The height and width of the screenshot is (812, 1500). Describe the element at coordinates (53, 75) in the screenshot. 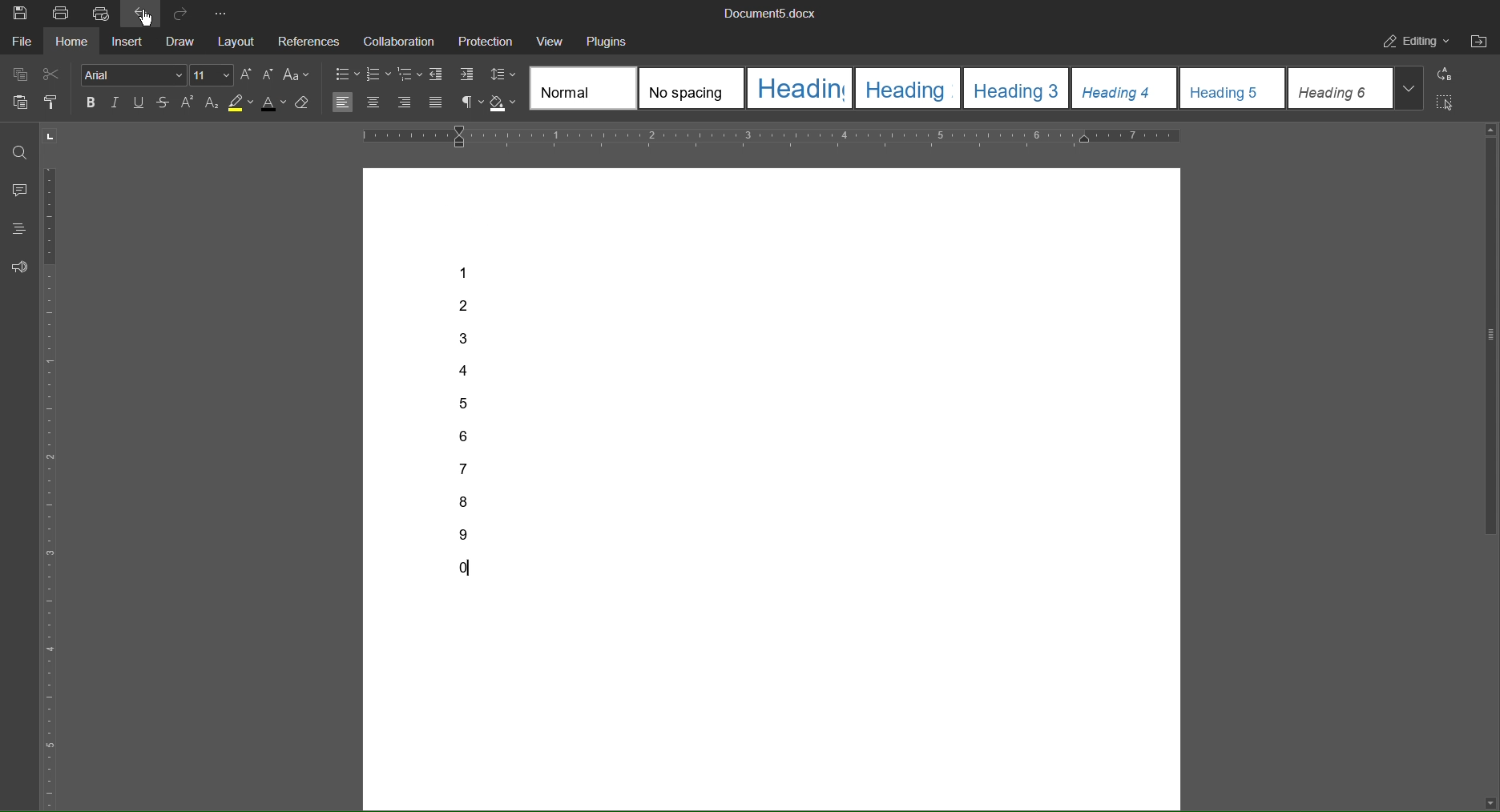

I see `Cut` at that location.